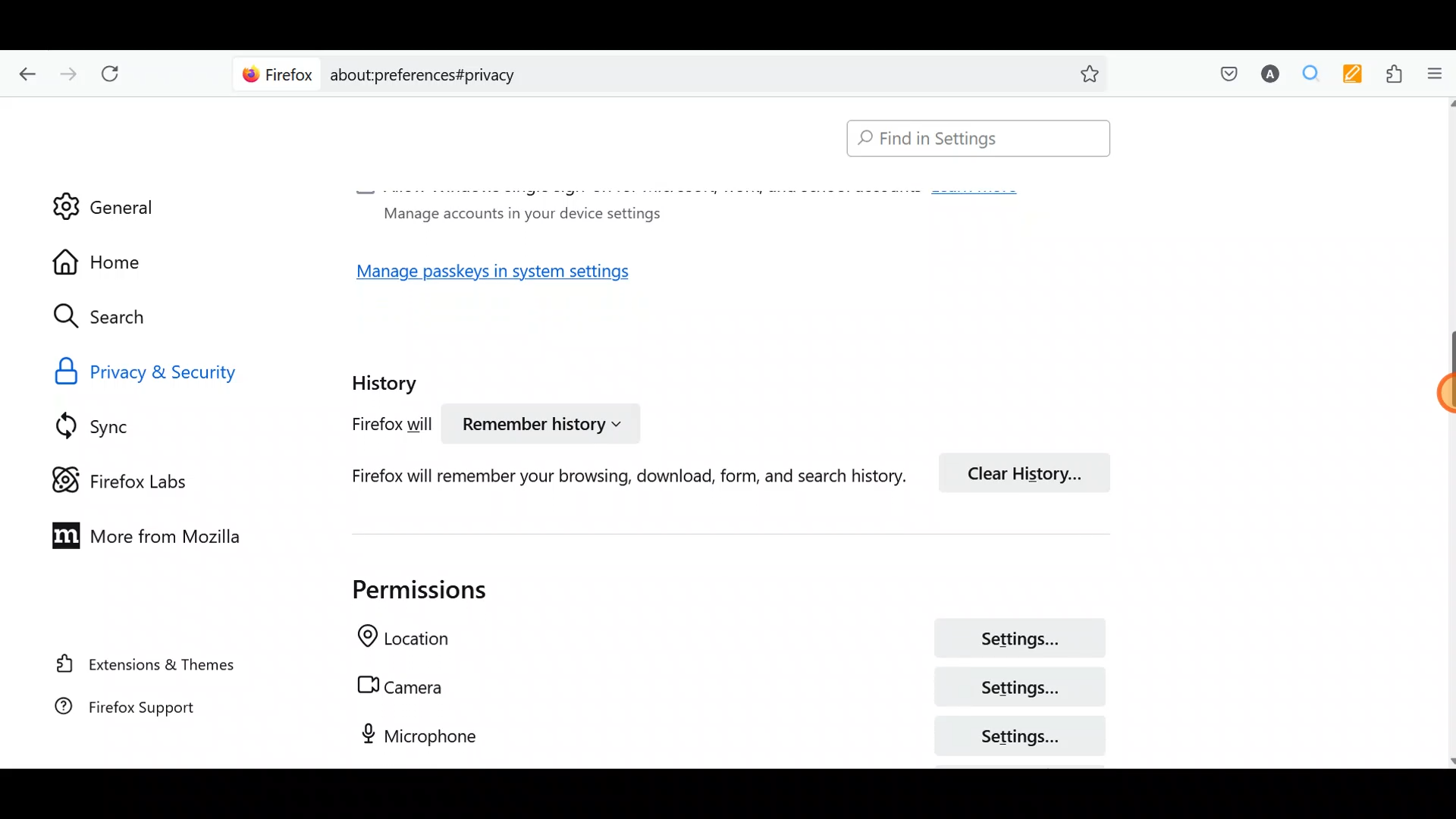 The height and width of the screenshot is (819, 1456). Describe the element at coordinates (149, 667) in the screenshot. I see `Extension & themes` at that location.